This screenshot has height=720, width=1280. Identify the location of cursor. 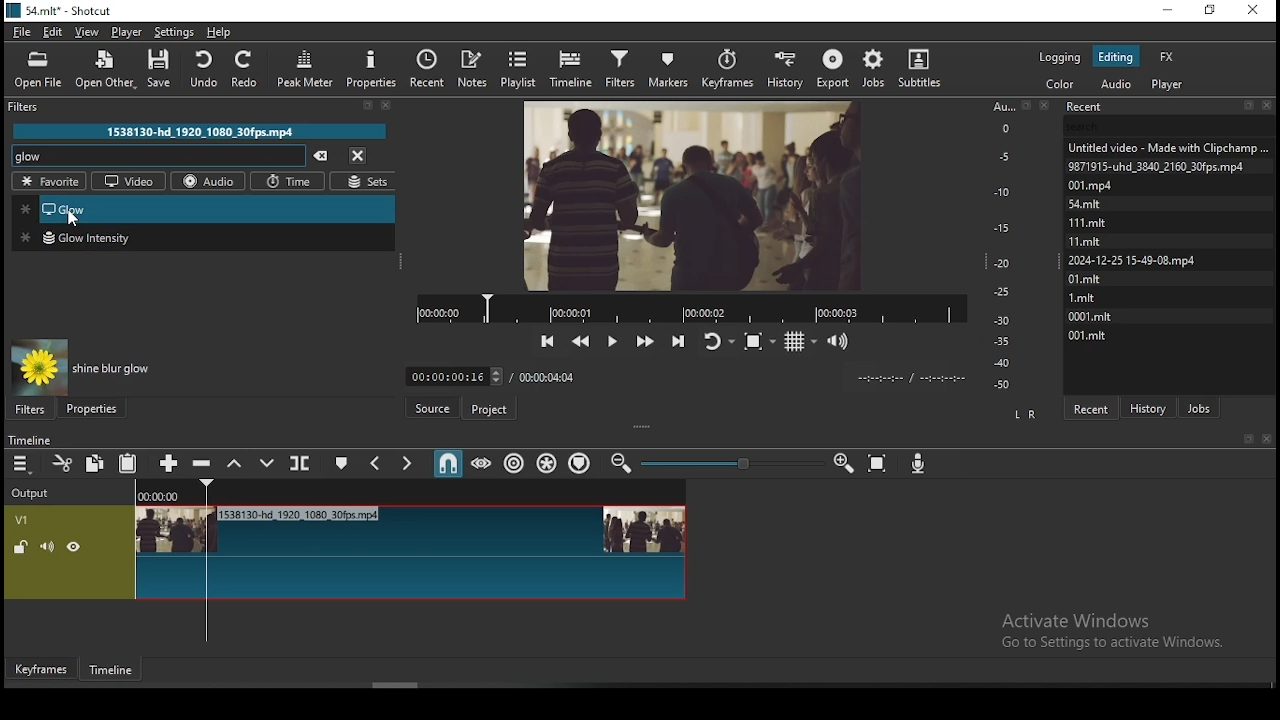
(81, 220).